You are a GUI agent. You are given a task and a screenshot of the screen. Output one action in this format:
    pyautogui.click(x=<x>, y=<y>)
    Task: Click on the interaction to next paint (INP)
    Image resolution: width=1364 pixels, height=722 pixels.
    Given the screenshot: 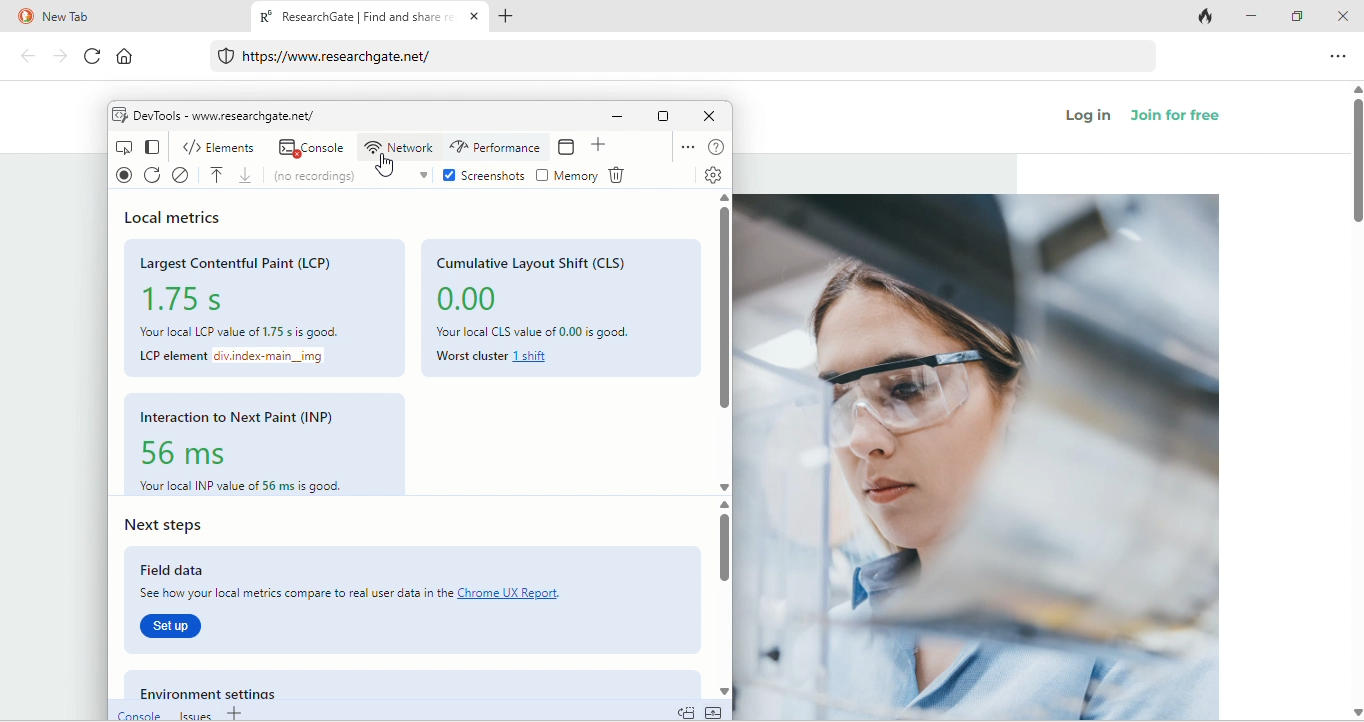 What is the action you would take?
    pyautogui.click(x=244, y=418)
    